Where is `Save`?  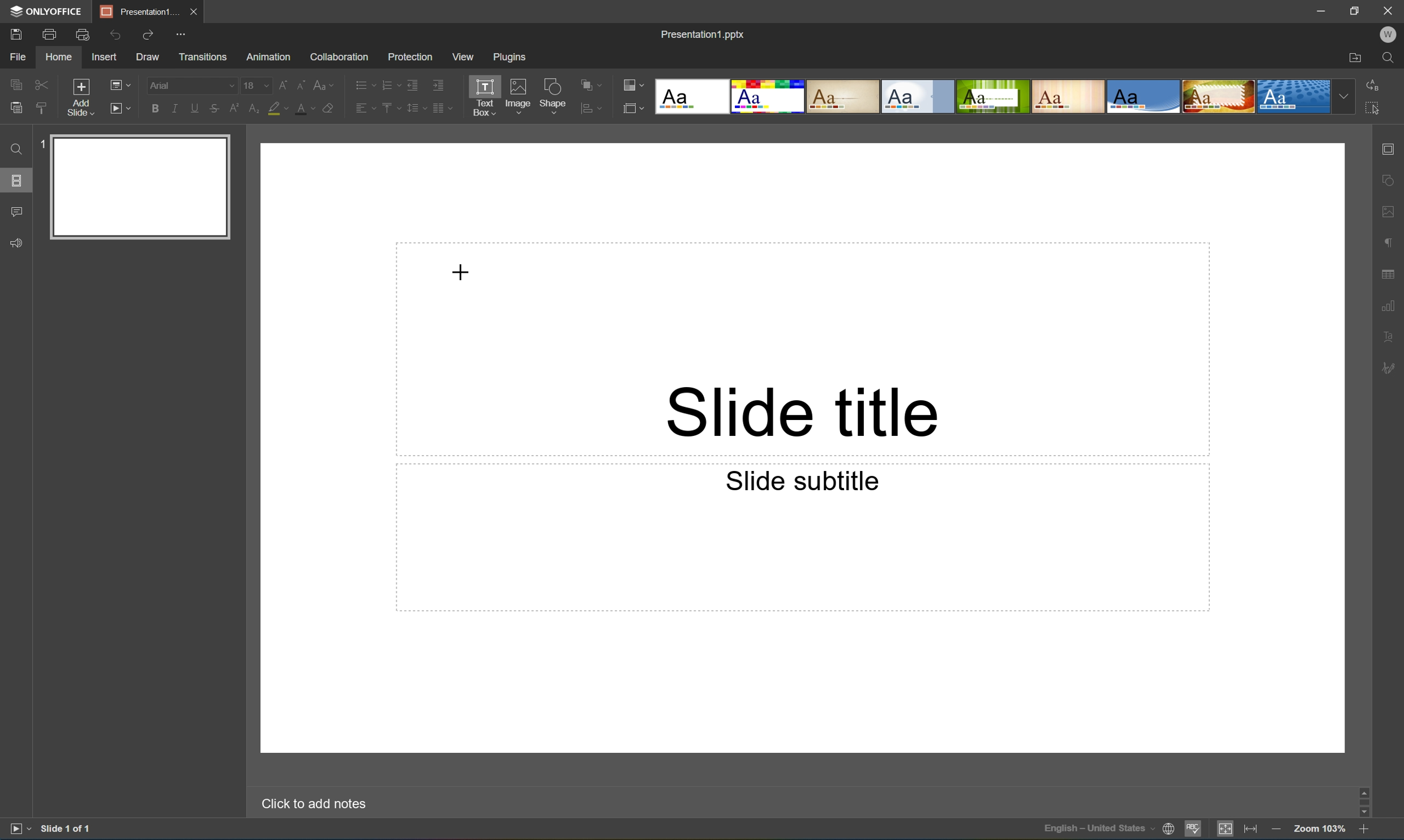
Save is located at coordinates (14, 33).